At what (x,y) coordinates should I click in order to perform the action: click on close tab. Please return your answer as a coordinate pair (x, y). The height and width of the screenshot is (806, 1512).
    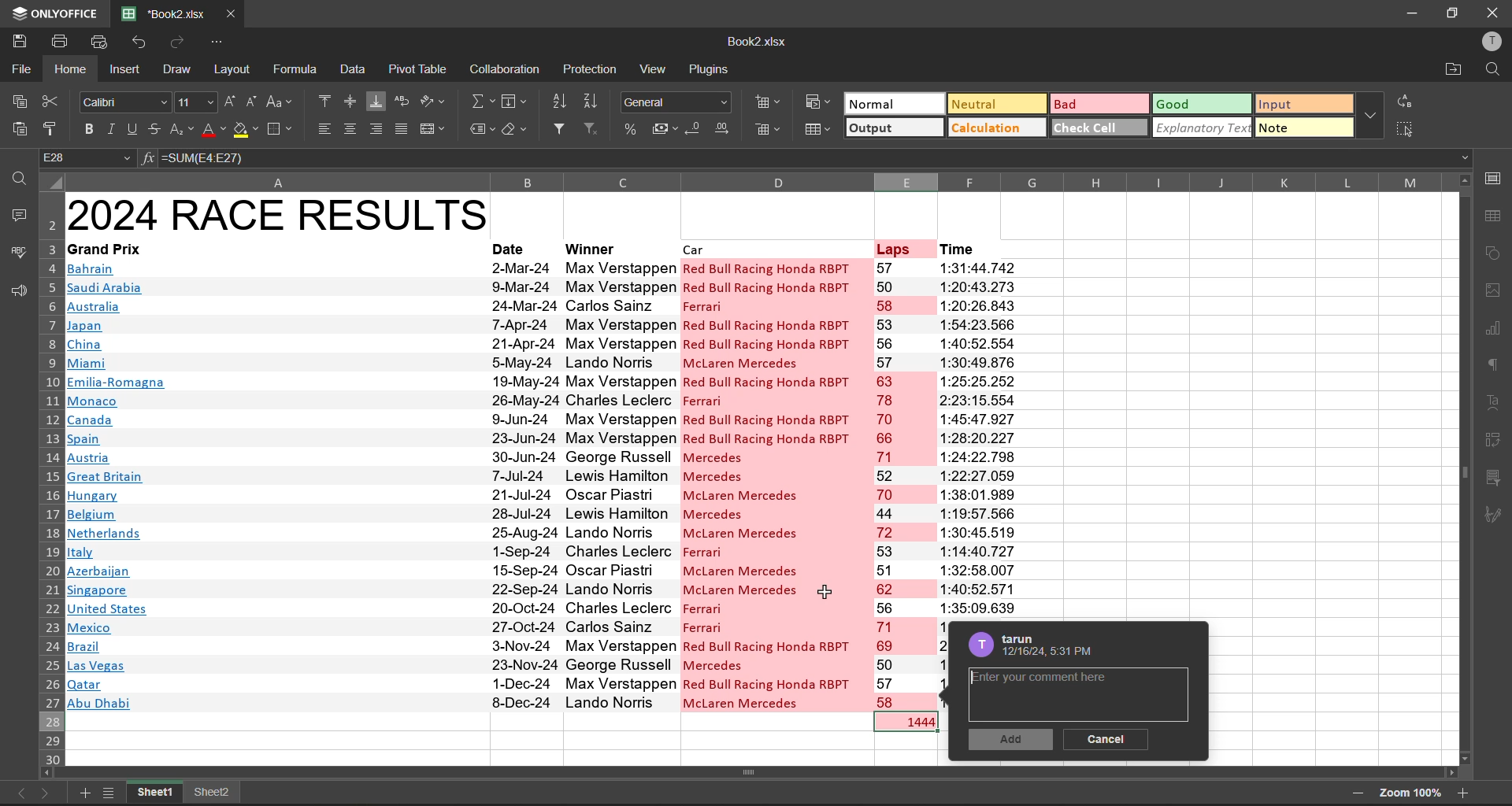
    Looking at the image, I should click on (238, 13).